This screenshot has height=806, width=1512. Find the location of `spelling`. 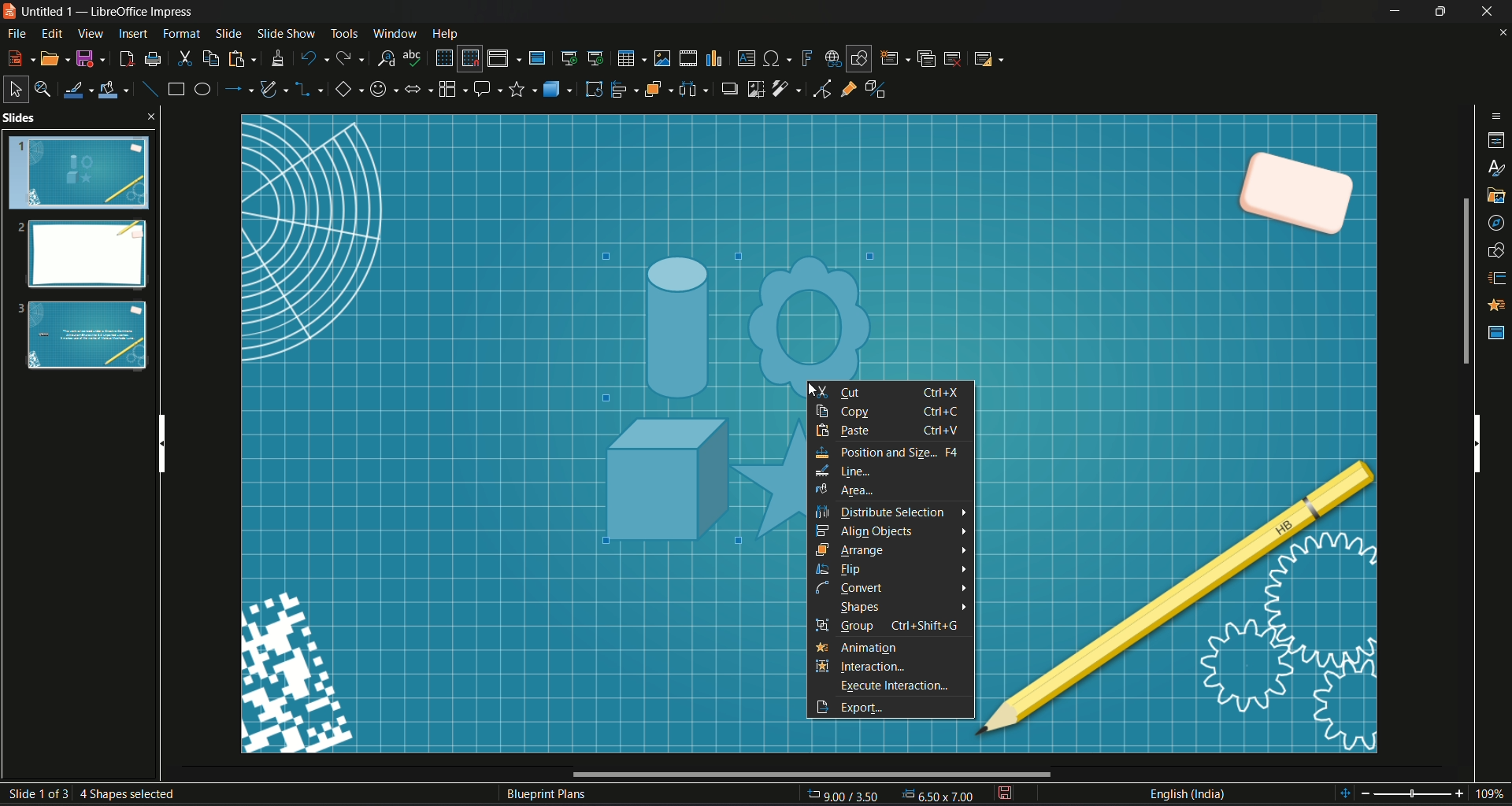

spelling is located at coordinates (413, 57).